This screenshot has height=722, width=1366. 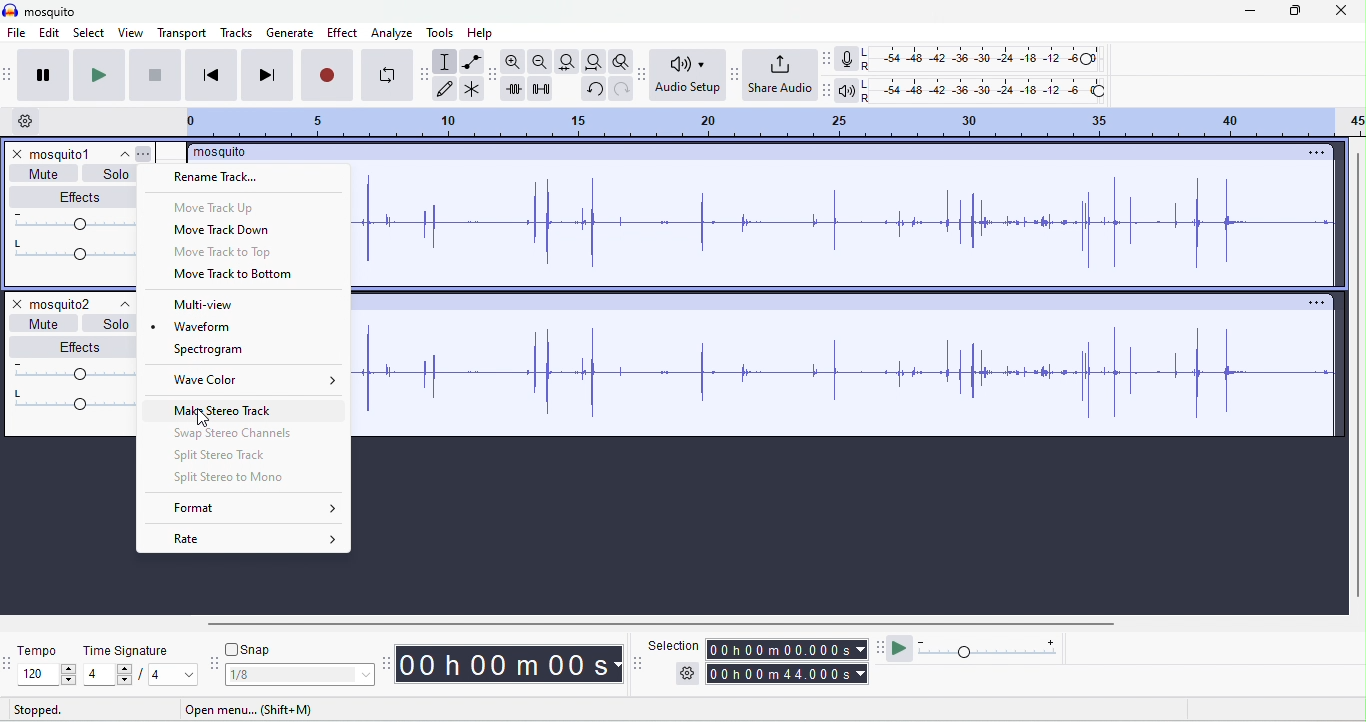 What do you see at coordinates (301, 675) in the screenshot?
I see `select snapping` at bounding box center [301, 675].